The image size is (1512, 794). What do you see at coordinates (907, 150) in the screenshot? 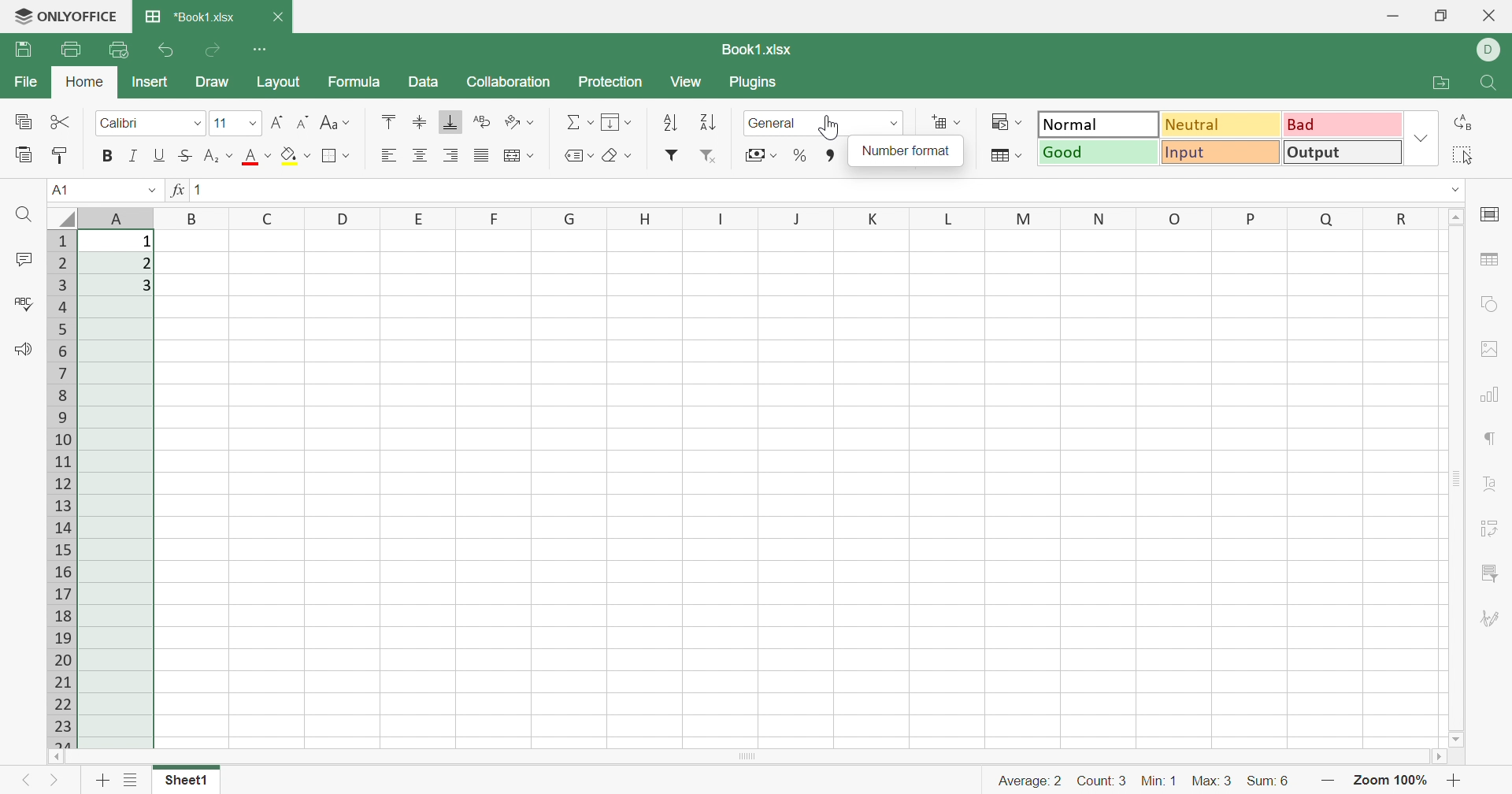
I see `Number format` at bounding box center [907, 150].